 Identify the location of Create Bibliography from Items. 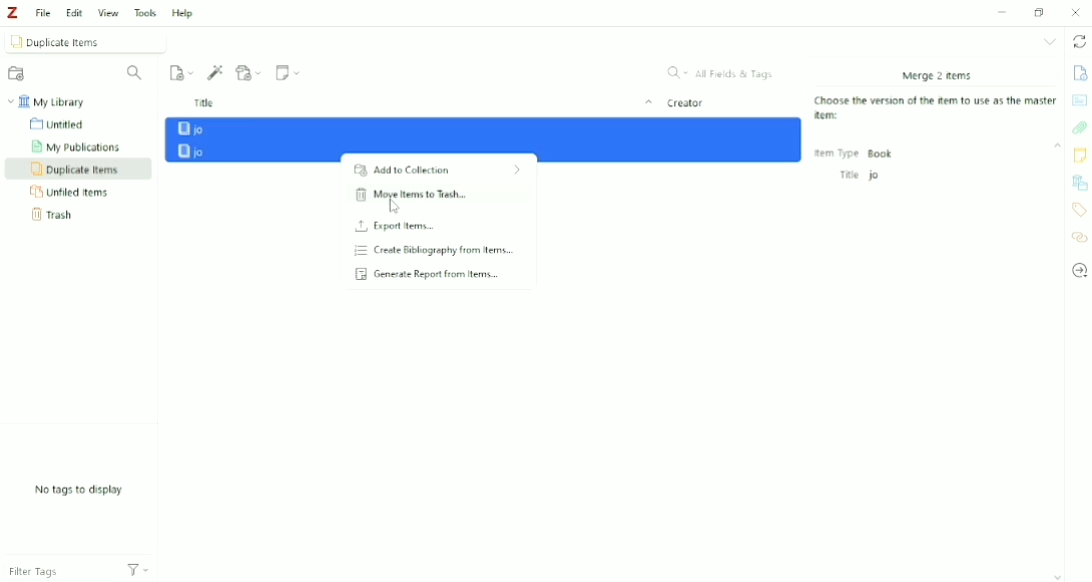
(437, 250).